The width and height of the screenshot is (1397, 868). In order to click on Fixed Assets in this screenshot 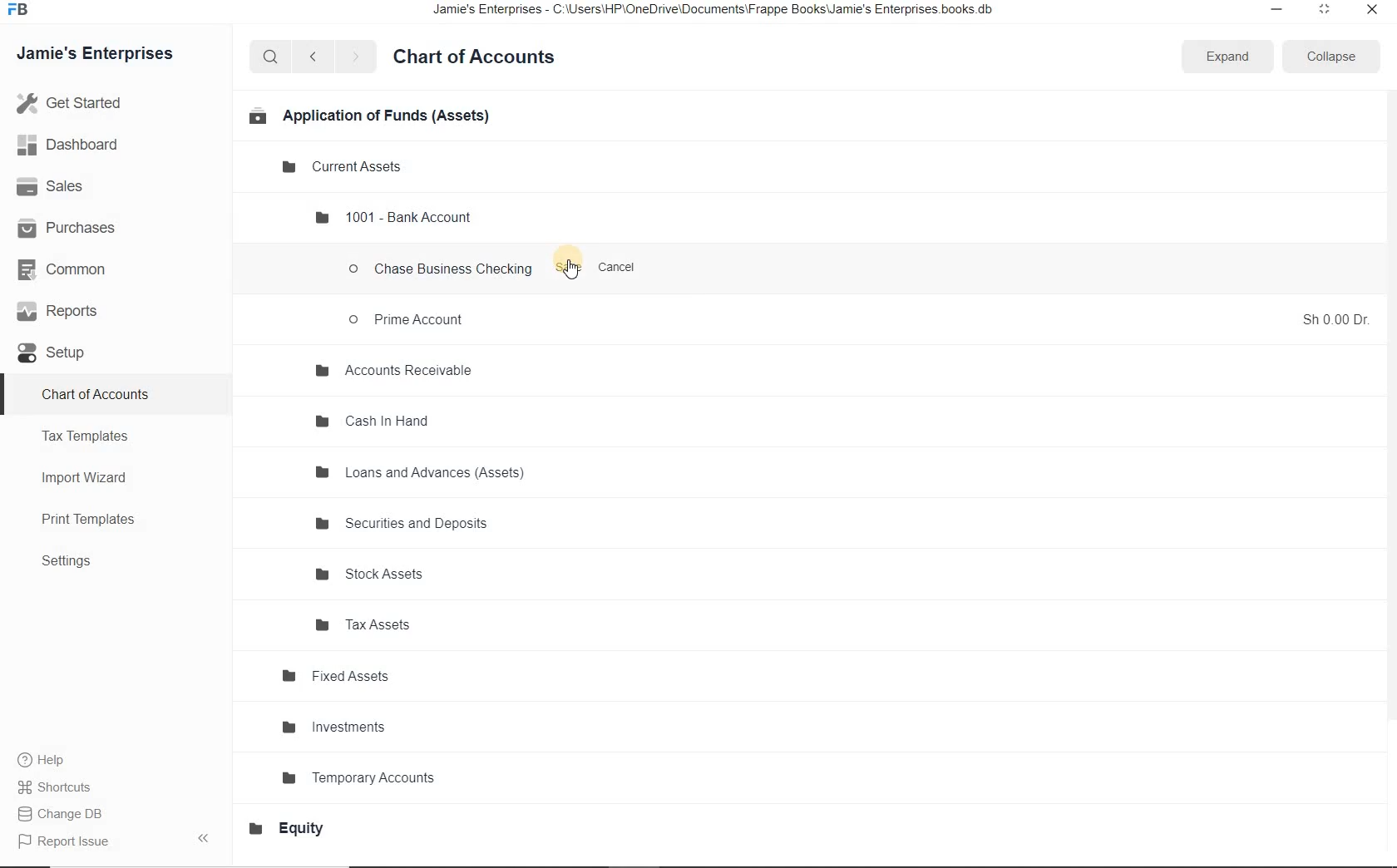, I will do `click(337, 677)`.